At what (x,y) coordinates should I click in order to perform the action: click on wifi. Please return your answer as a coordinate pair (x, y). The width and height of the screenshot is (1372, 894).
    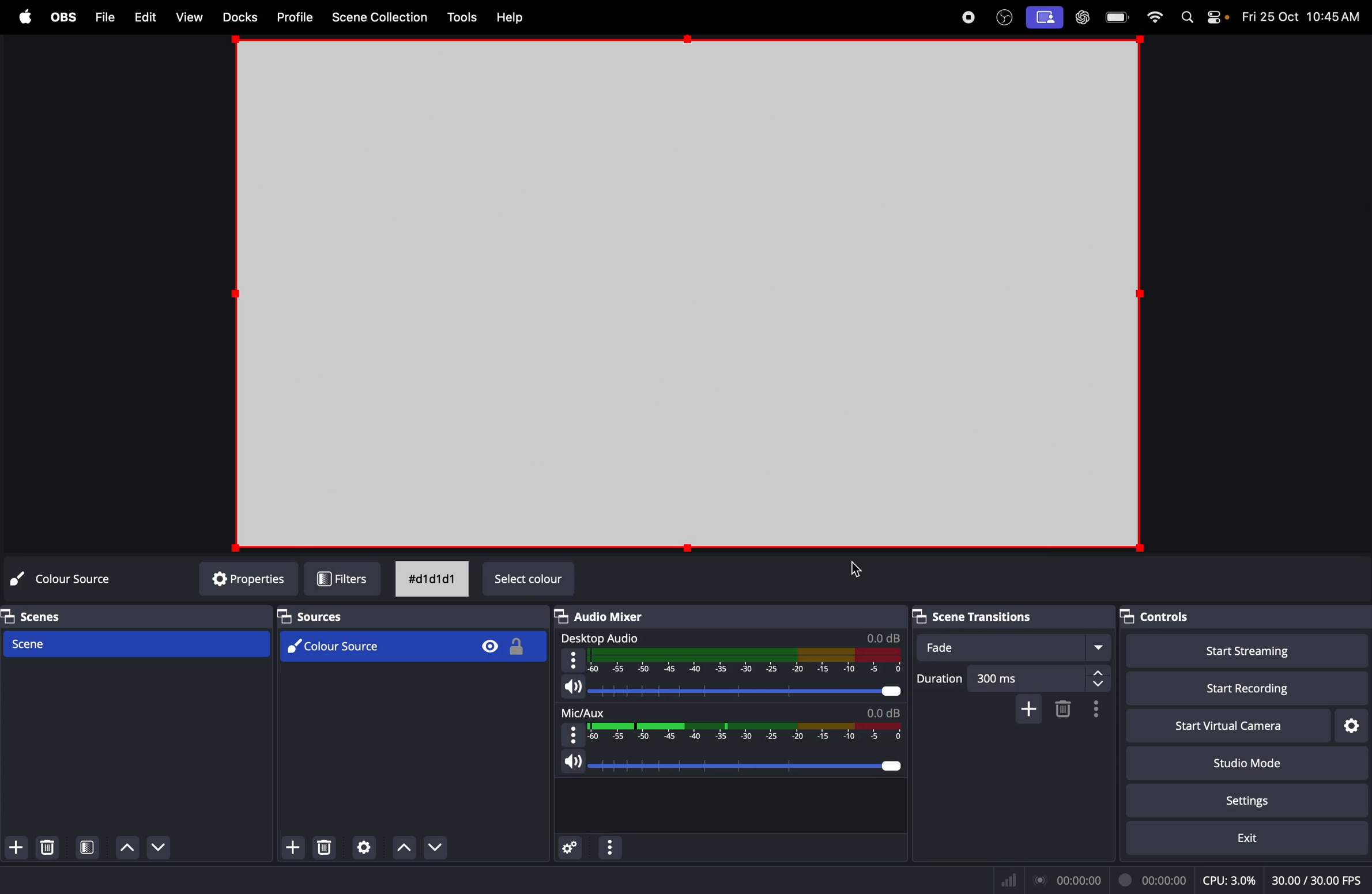
    Looking at the image, I should click on (1156, 17).